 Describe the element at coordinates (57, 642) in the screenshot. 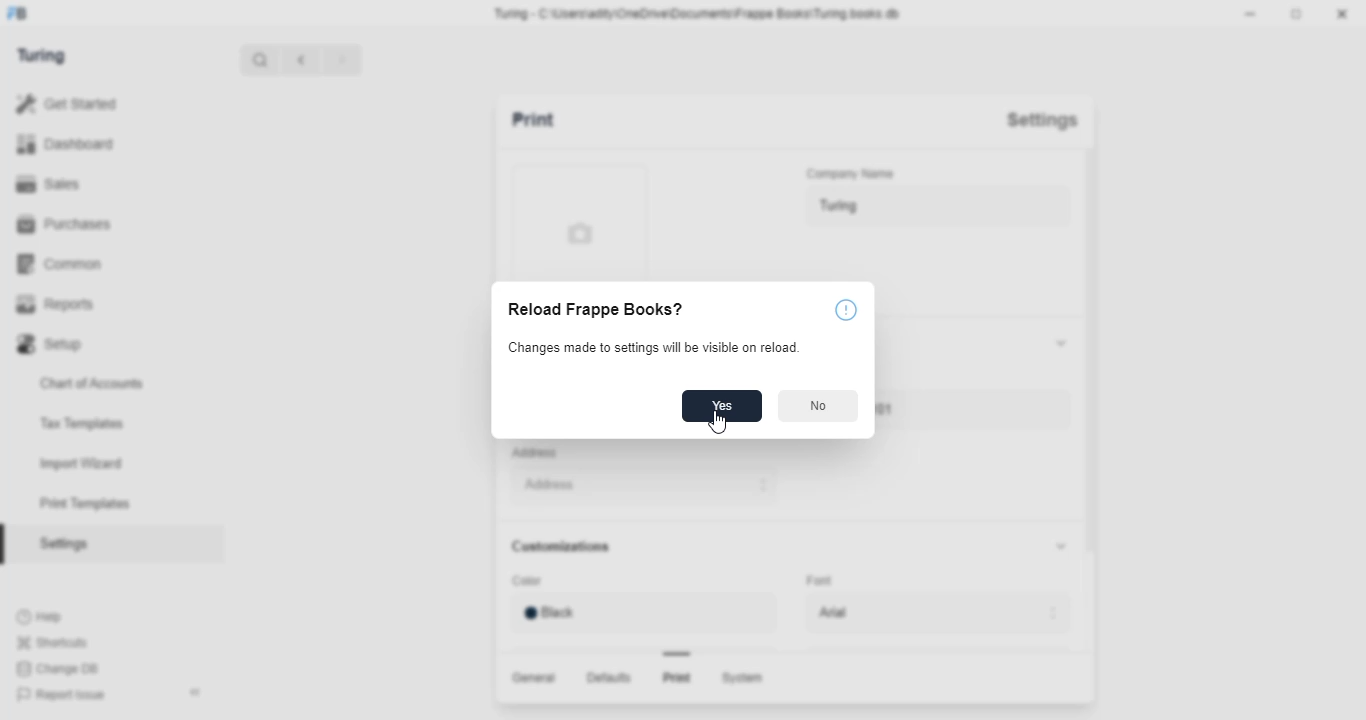

I see `Shortcuts` at that location.